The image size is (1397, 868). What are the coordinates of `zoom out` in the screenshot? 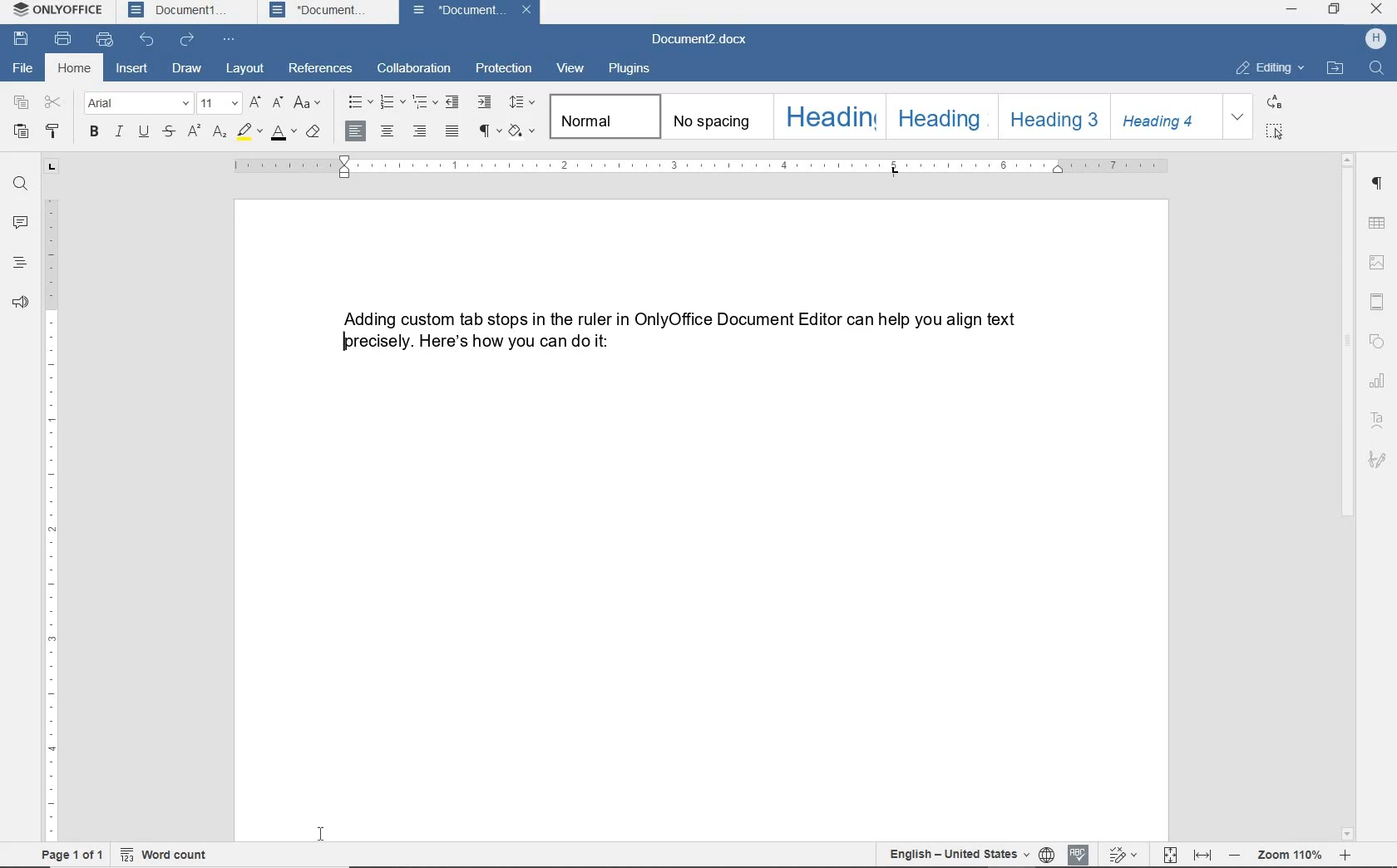 It's located at (1237, 855).